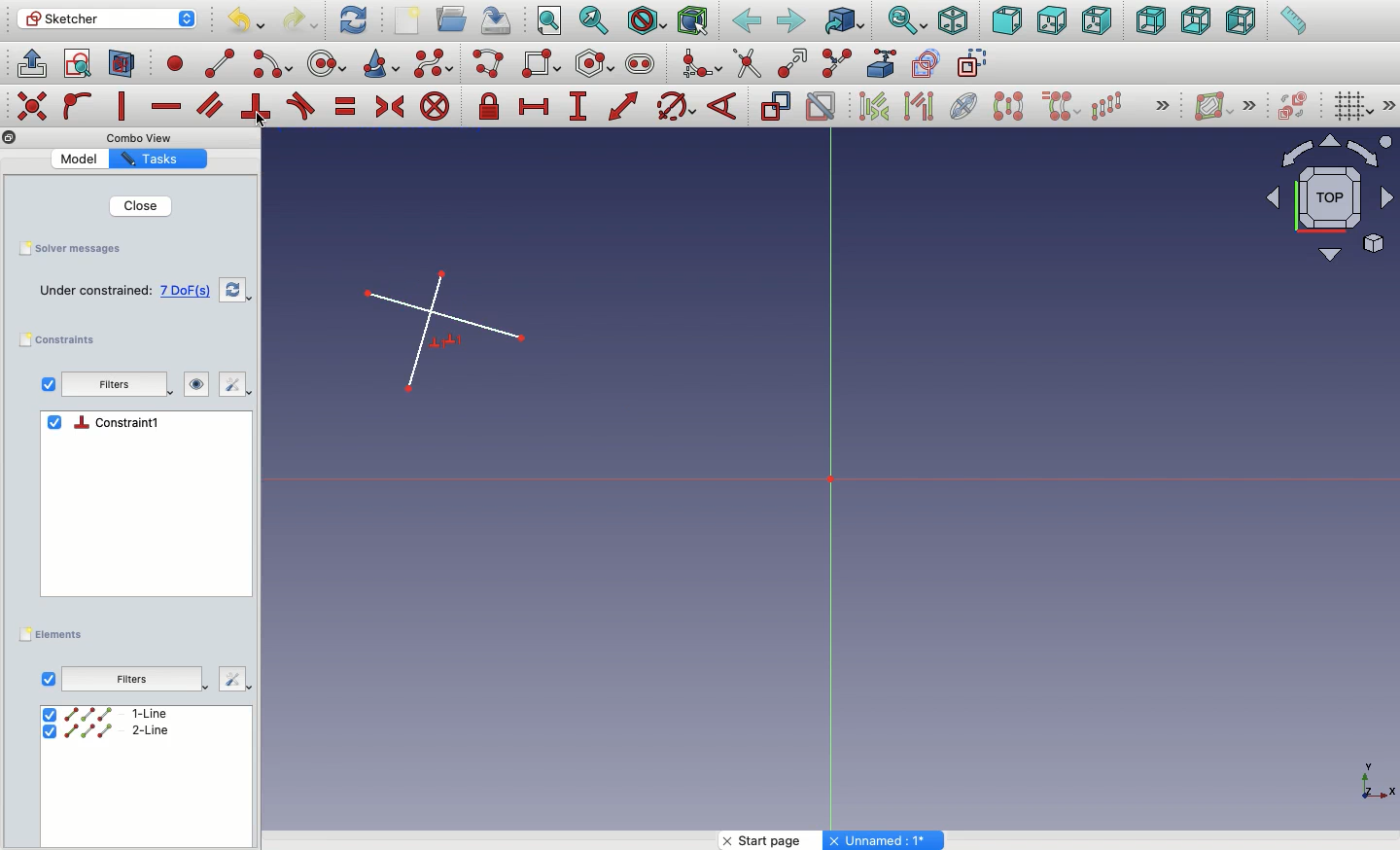  Describe the element at coordinates (1108, 105) in the screenshot. I see `Rectangular array` at that location.